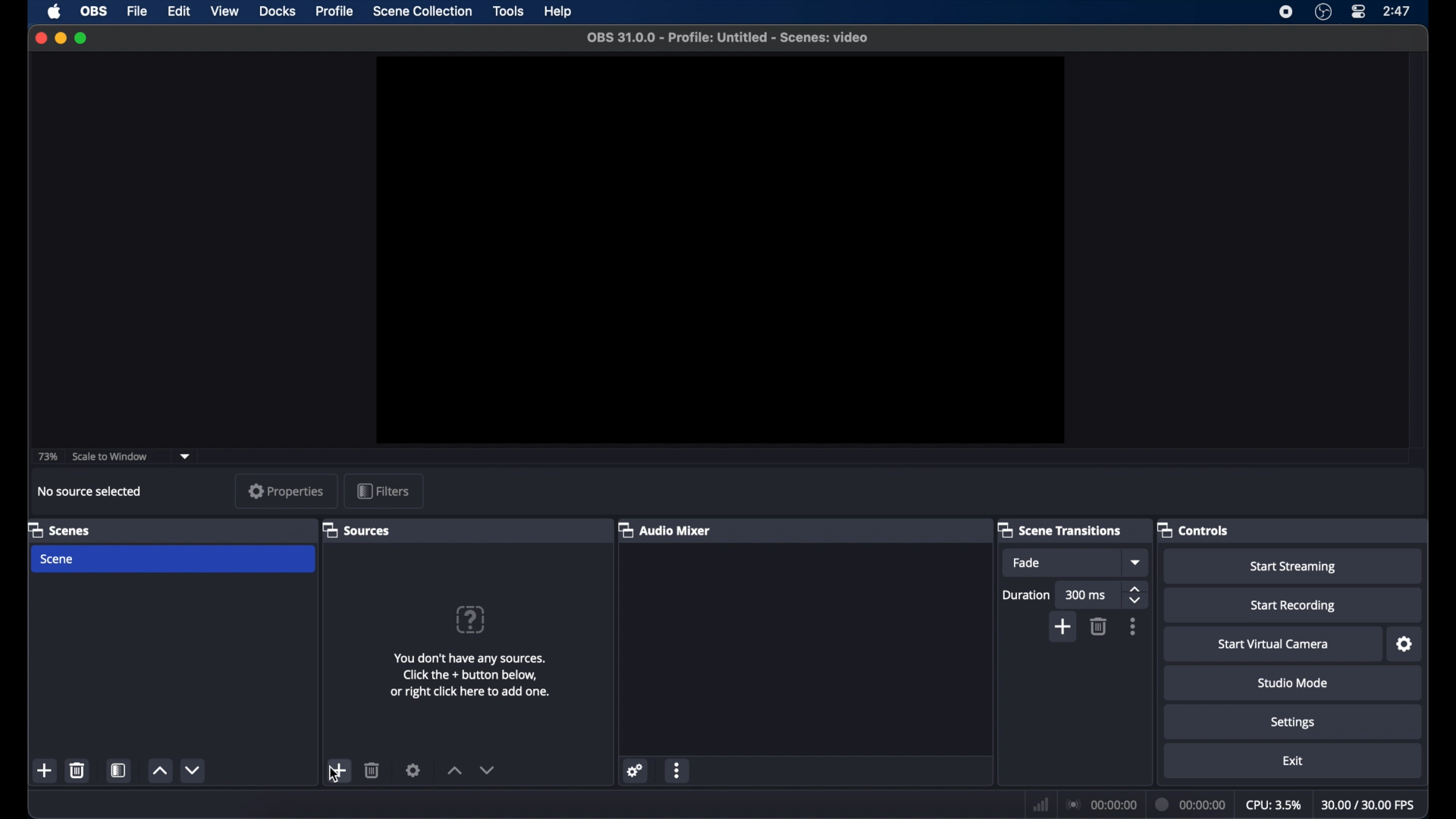 This screenshot has width=1456, height=819. Describe the element at coordinates (58, 559) in the screenshot. I see `scene` at that location.